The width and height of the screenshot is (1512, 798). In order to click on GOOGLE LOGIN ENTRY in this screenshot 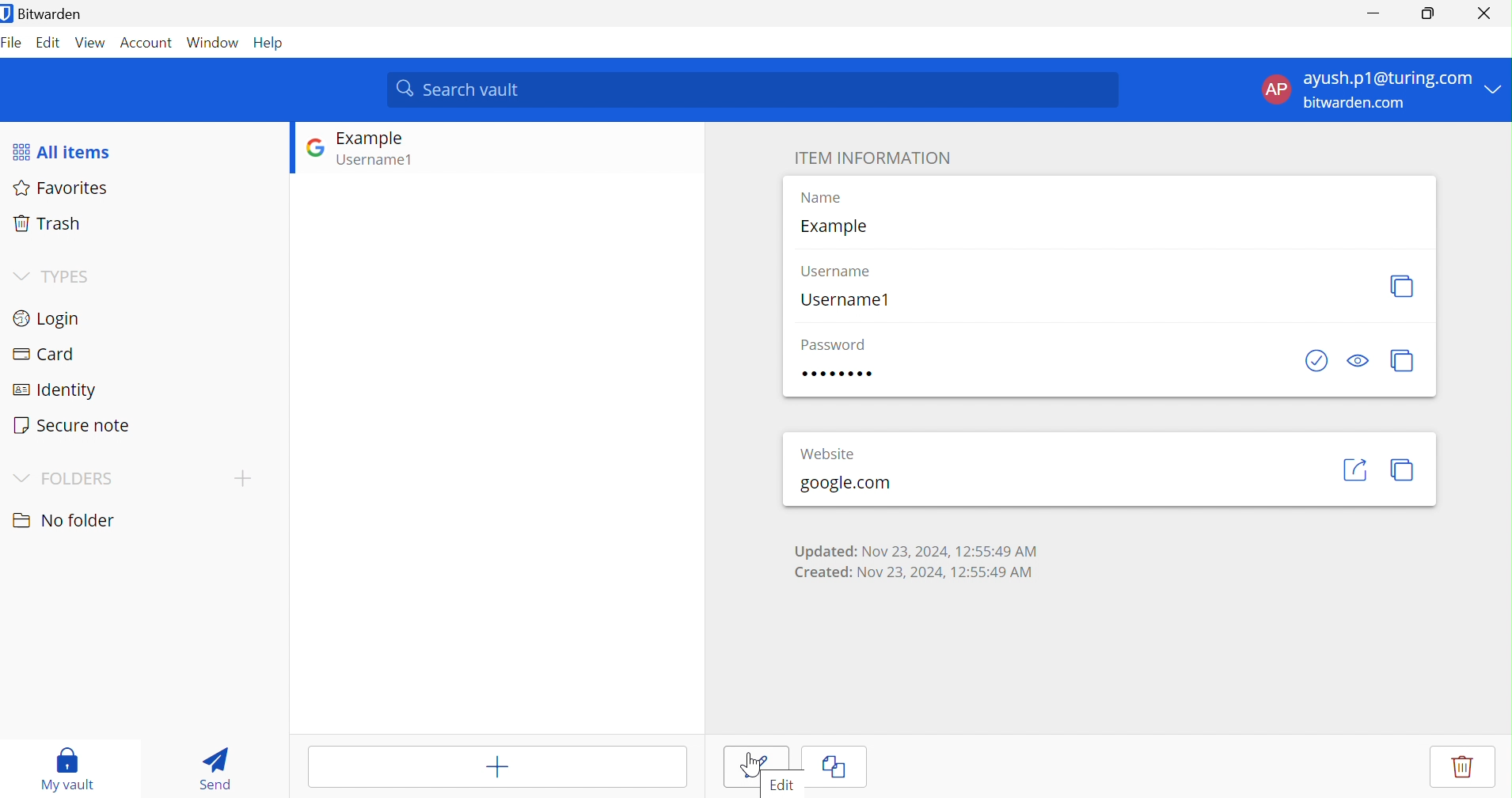, I will do `click(394, 151)`.